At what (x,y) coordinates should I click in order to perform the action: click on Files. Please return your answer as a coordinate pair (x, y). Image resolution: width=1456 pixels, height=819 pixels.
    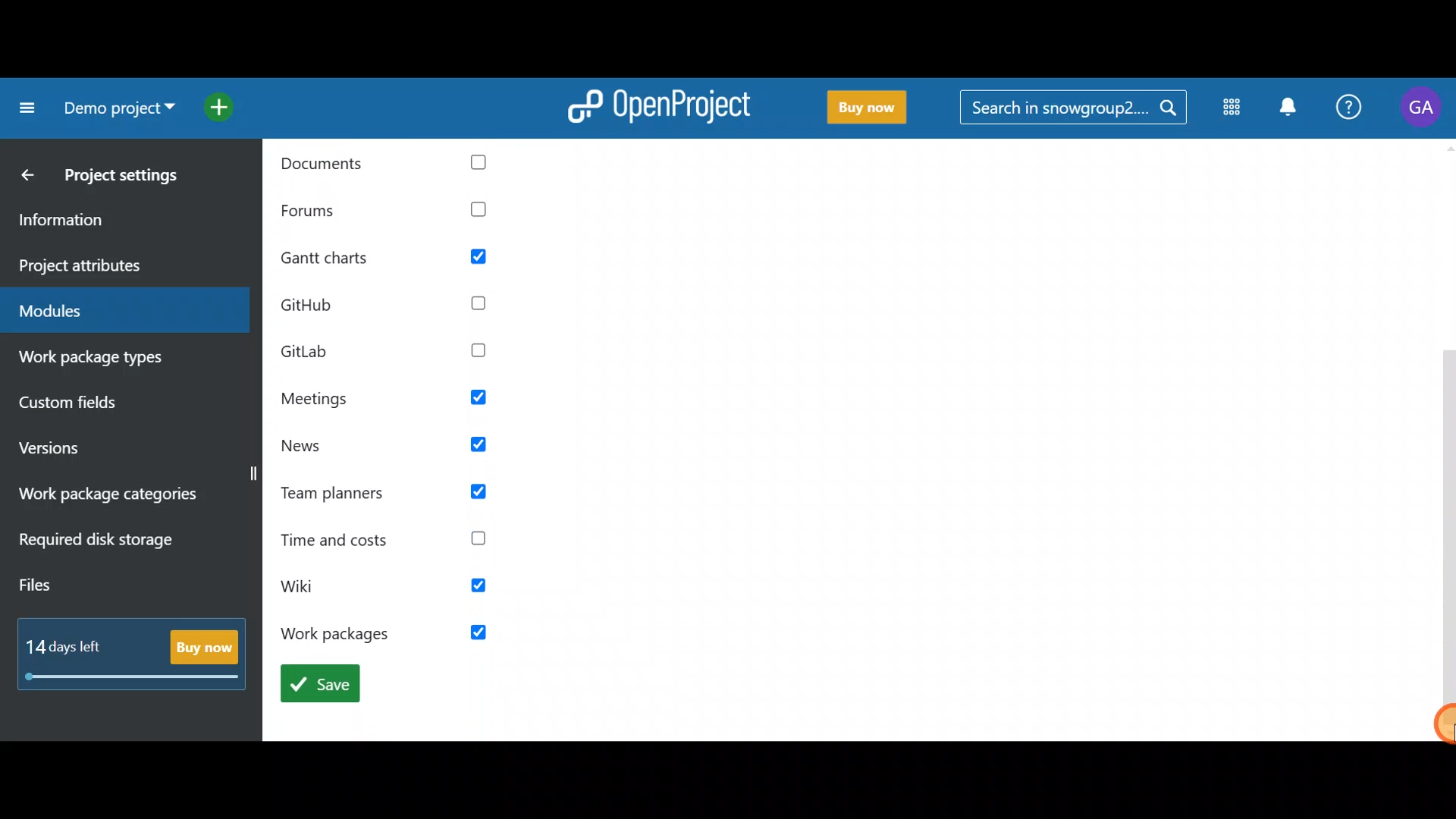
    Looking at the image, I should click on (79, 588).